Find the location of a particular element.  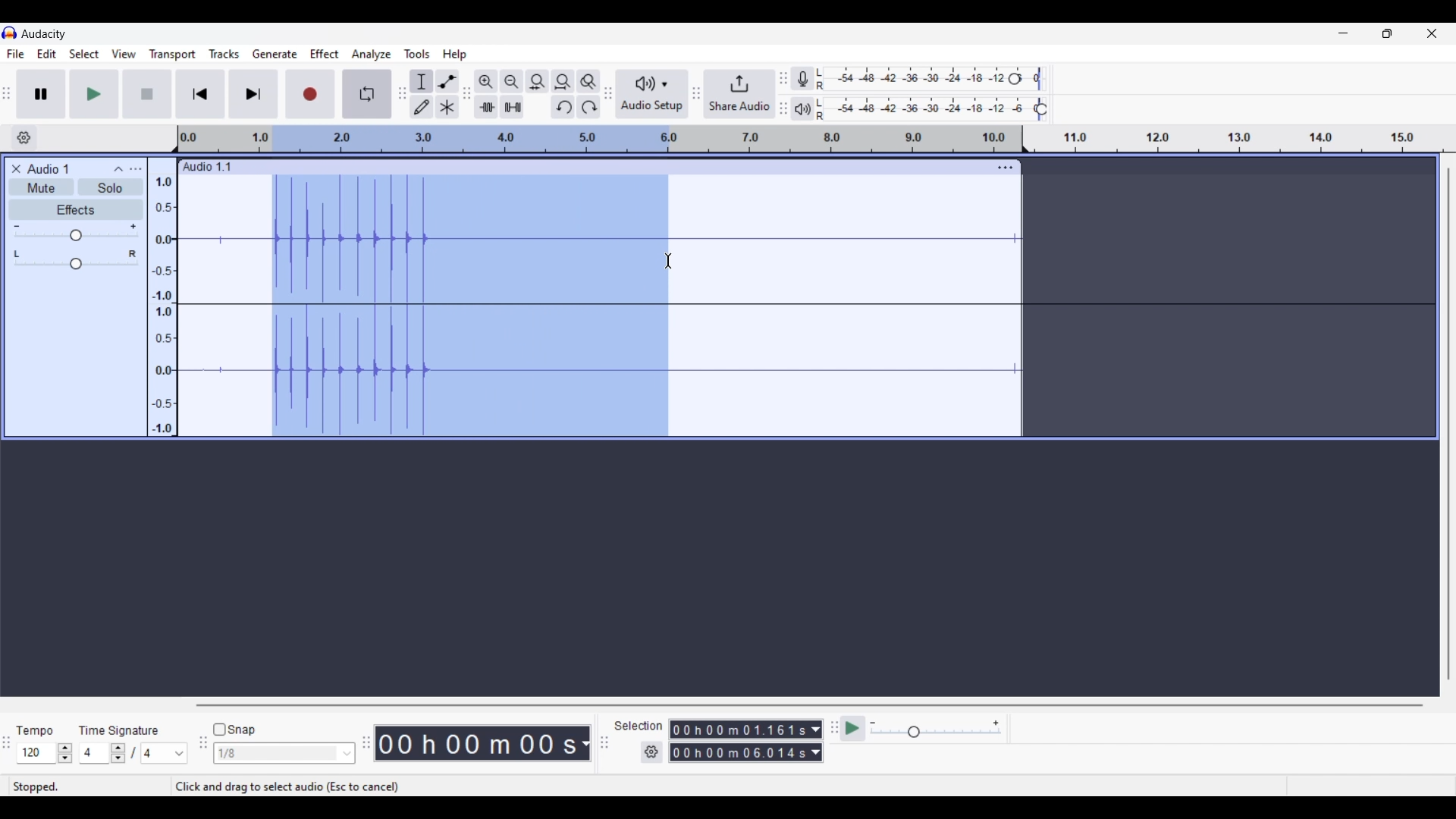

Generate menu is located at coordinates (275, 55).